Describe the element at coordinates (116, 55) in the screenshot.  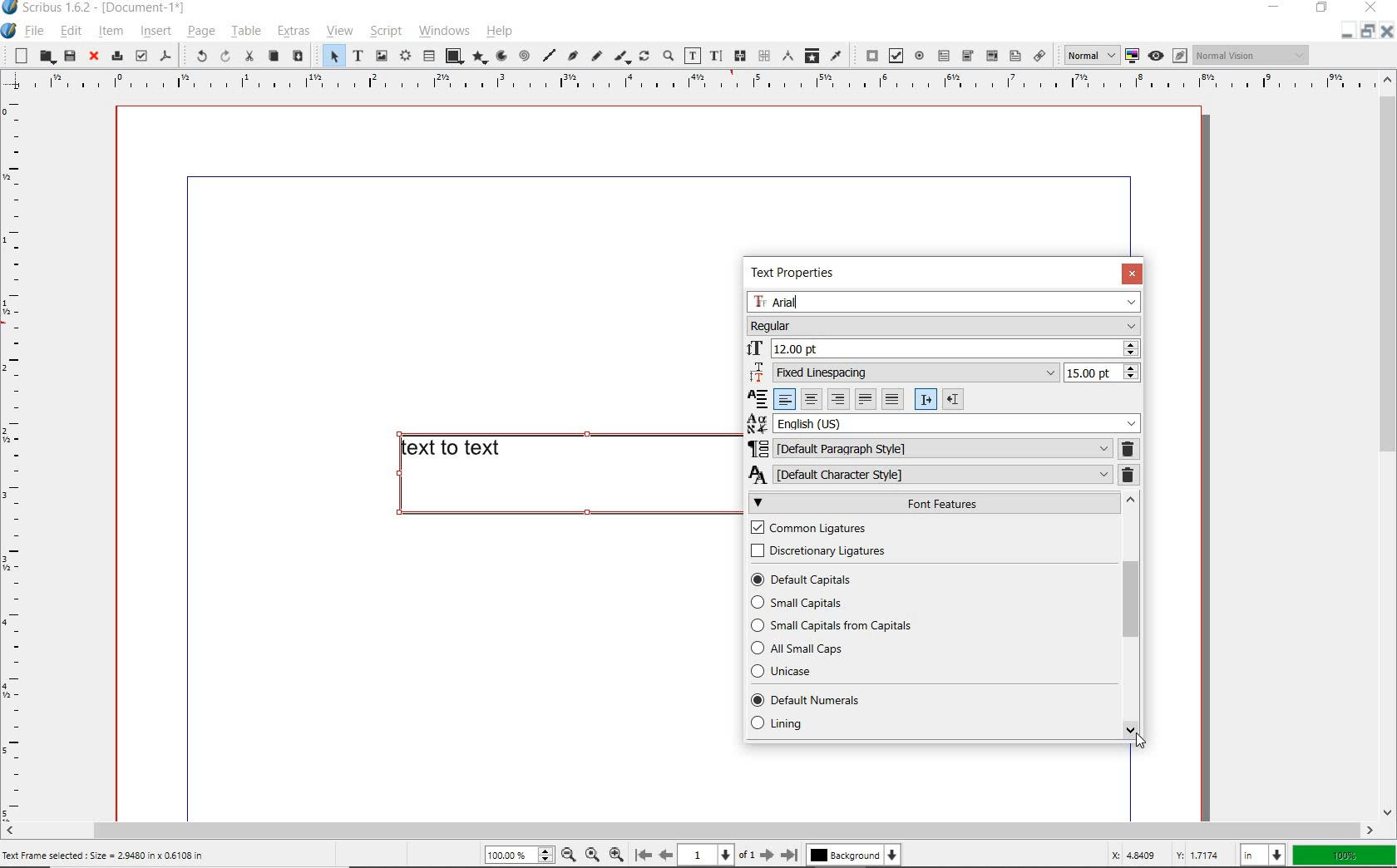
I see `print` at that location.